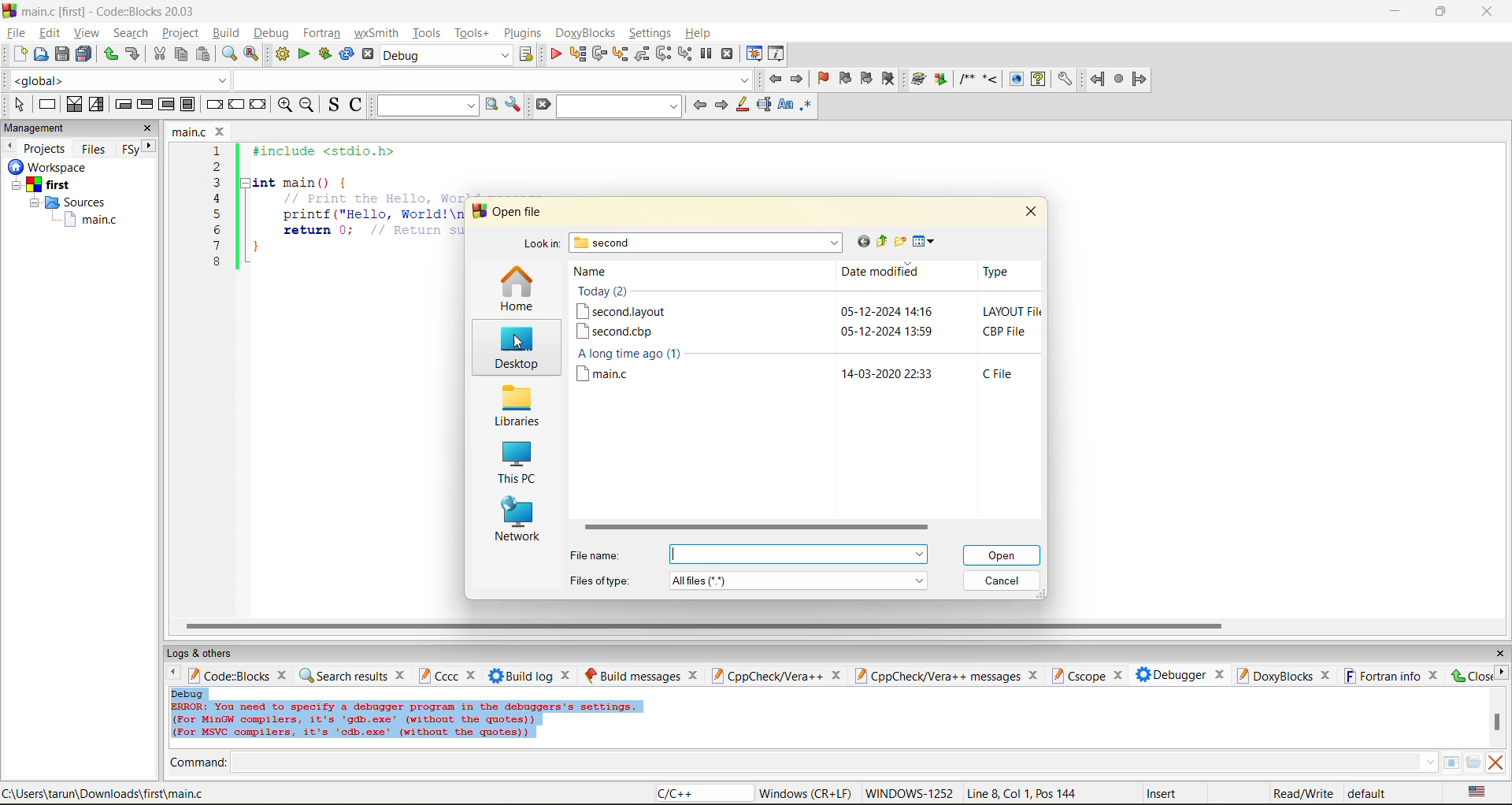 The image size is (1512, 805). I want to click on management, so click(37, 129).